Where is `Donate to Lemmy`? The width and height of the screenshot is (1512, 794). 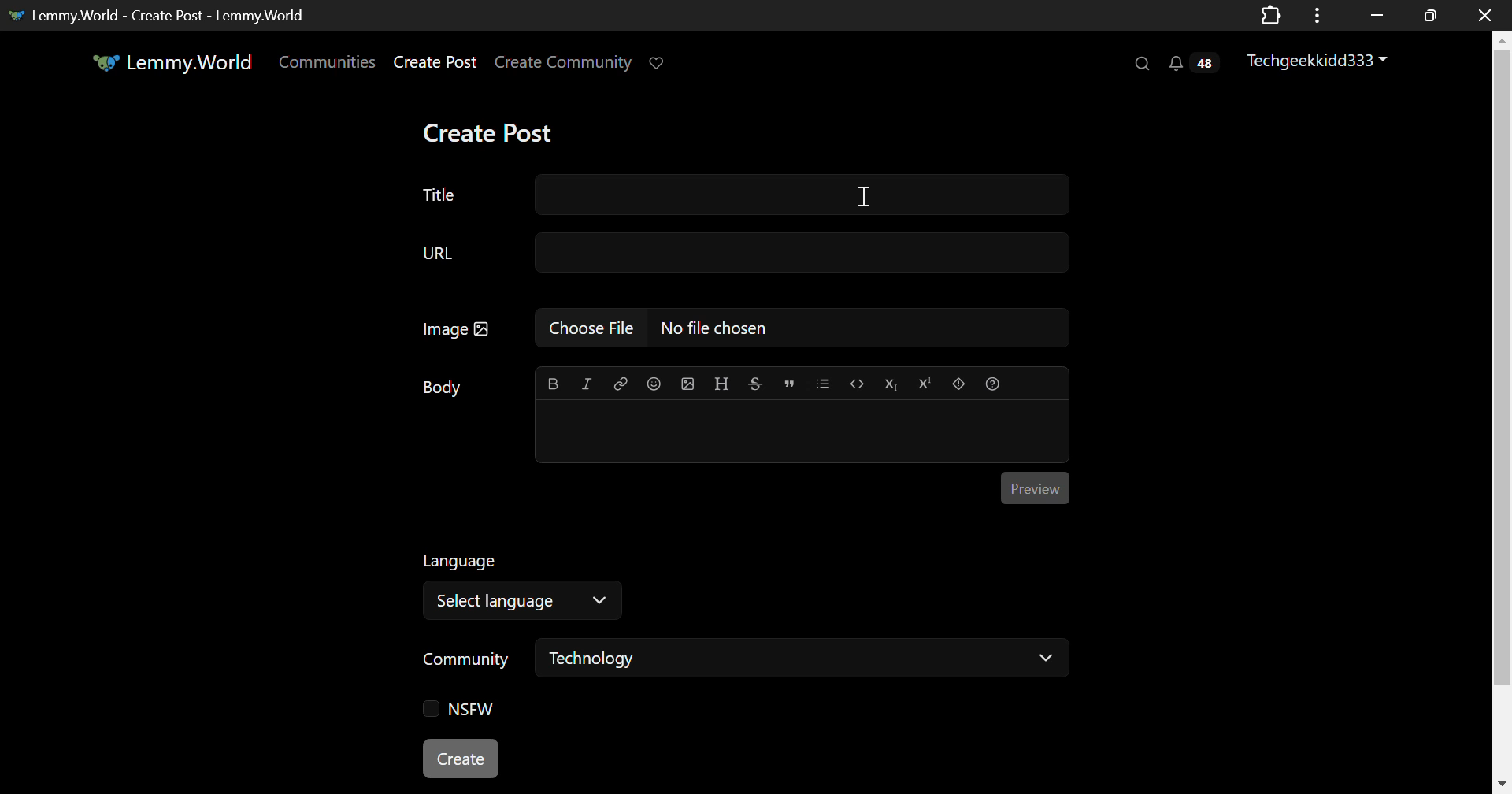 Donate to Lemmy is located at coordinates (658, 64).